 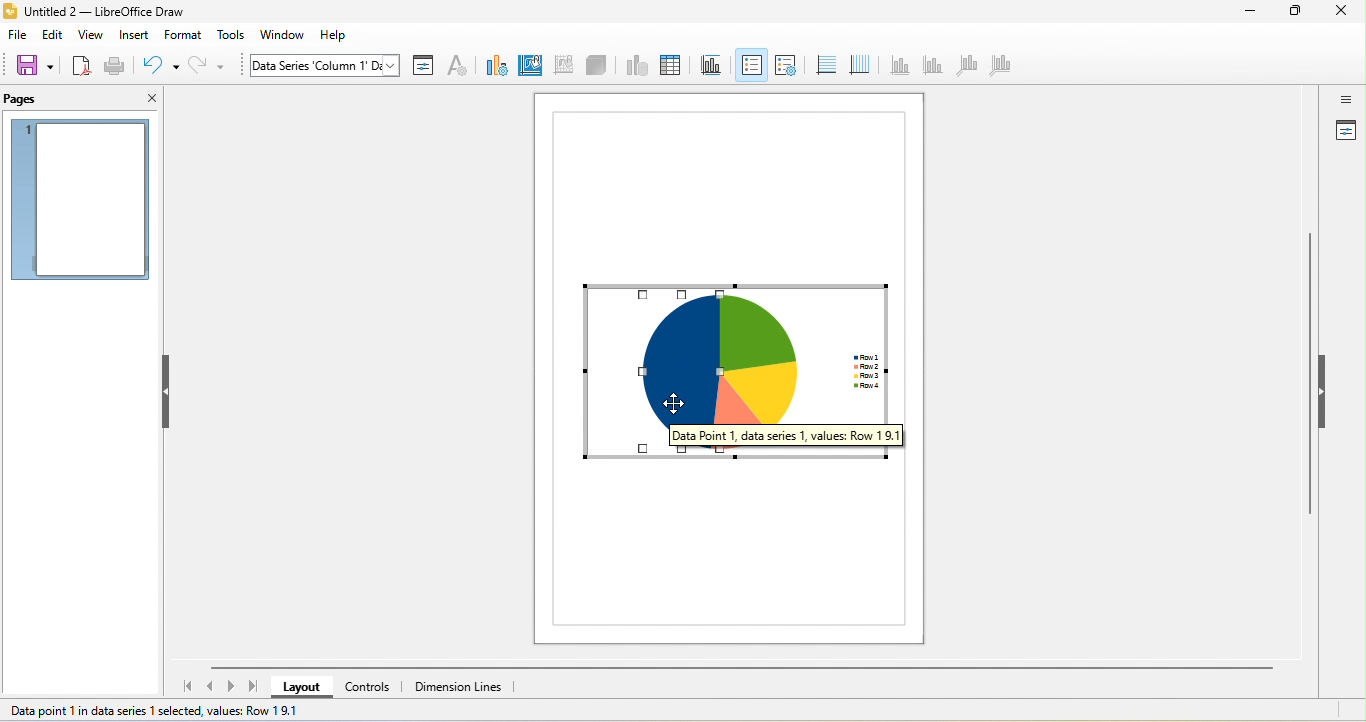 What do you see at coordinates (301, 686) in the screenshot?
I see `layout` at bounding box center [301, 686].